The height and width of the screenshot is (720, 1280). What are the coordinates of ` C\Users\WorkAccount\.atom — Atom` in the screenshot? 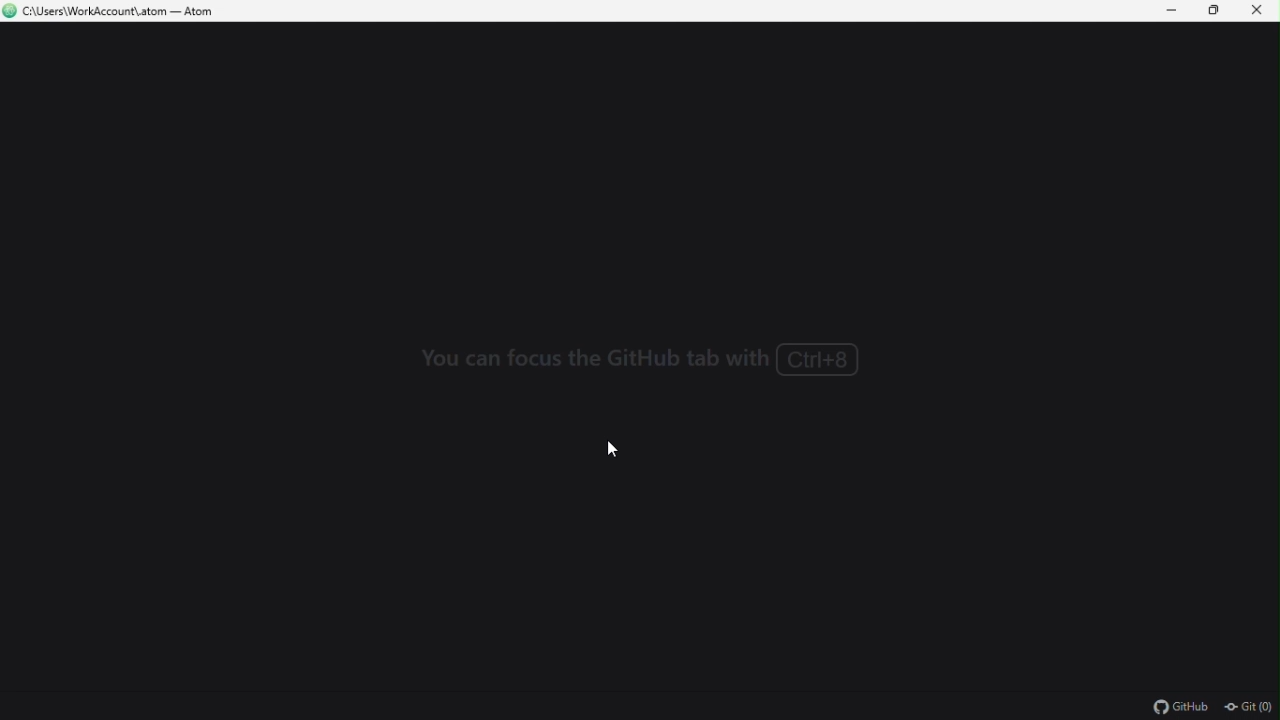 It's located at (117, 13).